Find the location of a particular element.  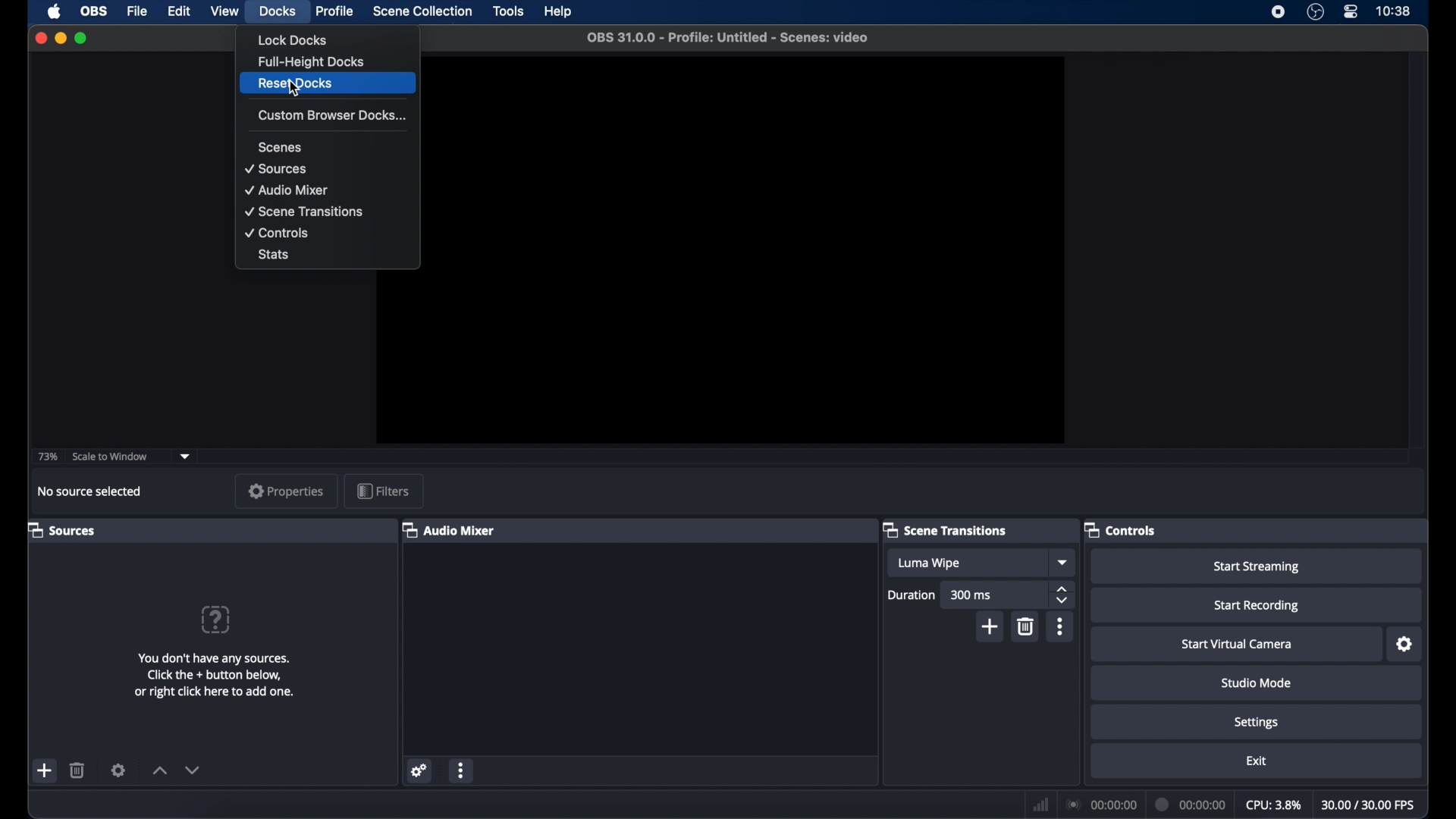

help is located at coordinates (217, 620).